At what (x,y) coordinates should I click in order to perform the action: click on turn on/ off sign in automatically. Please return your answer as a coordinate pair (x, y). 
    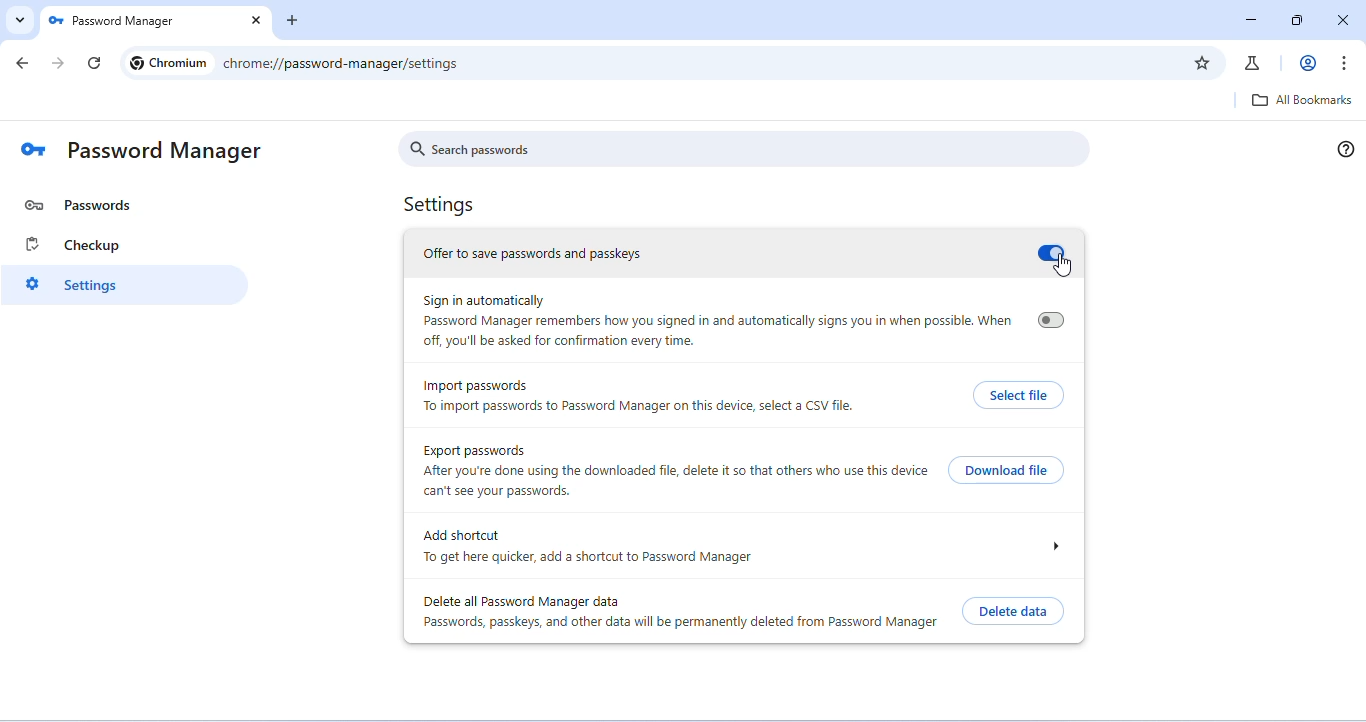
    Looking at the image, I should click on (1053, 319).